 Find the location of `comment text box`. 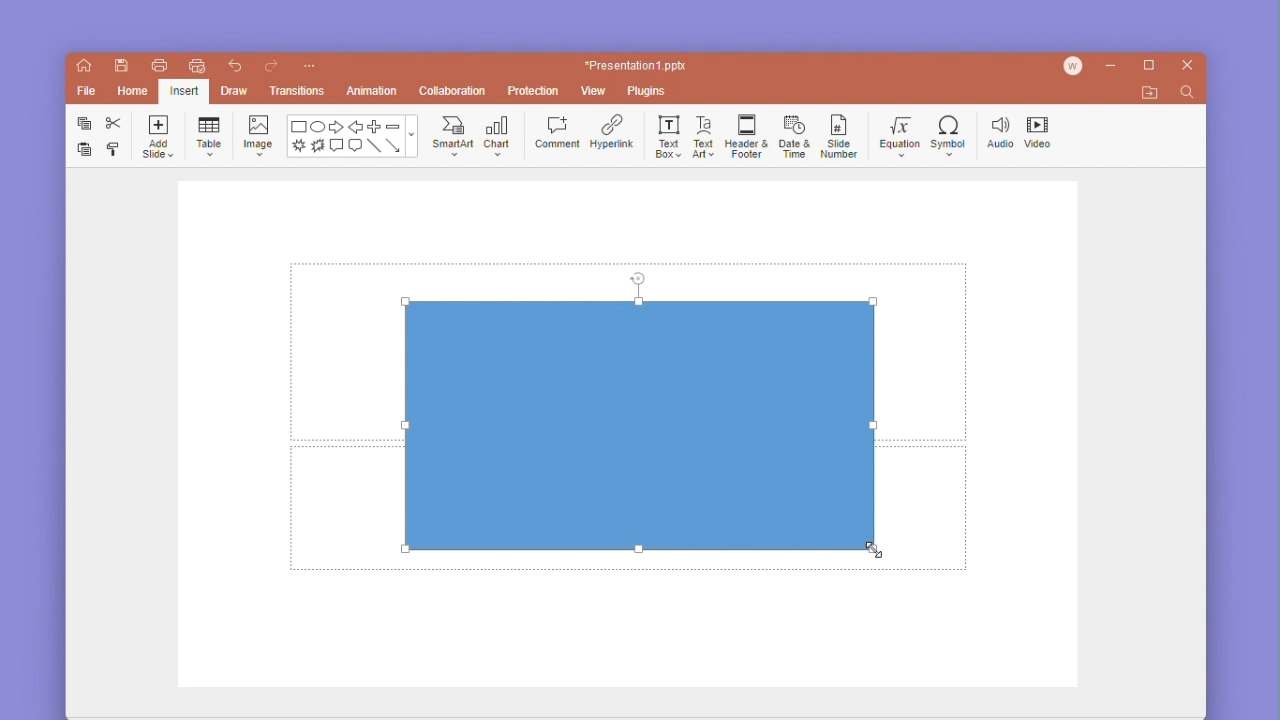

comment text box is located at coordinates (336, 146).